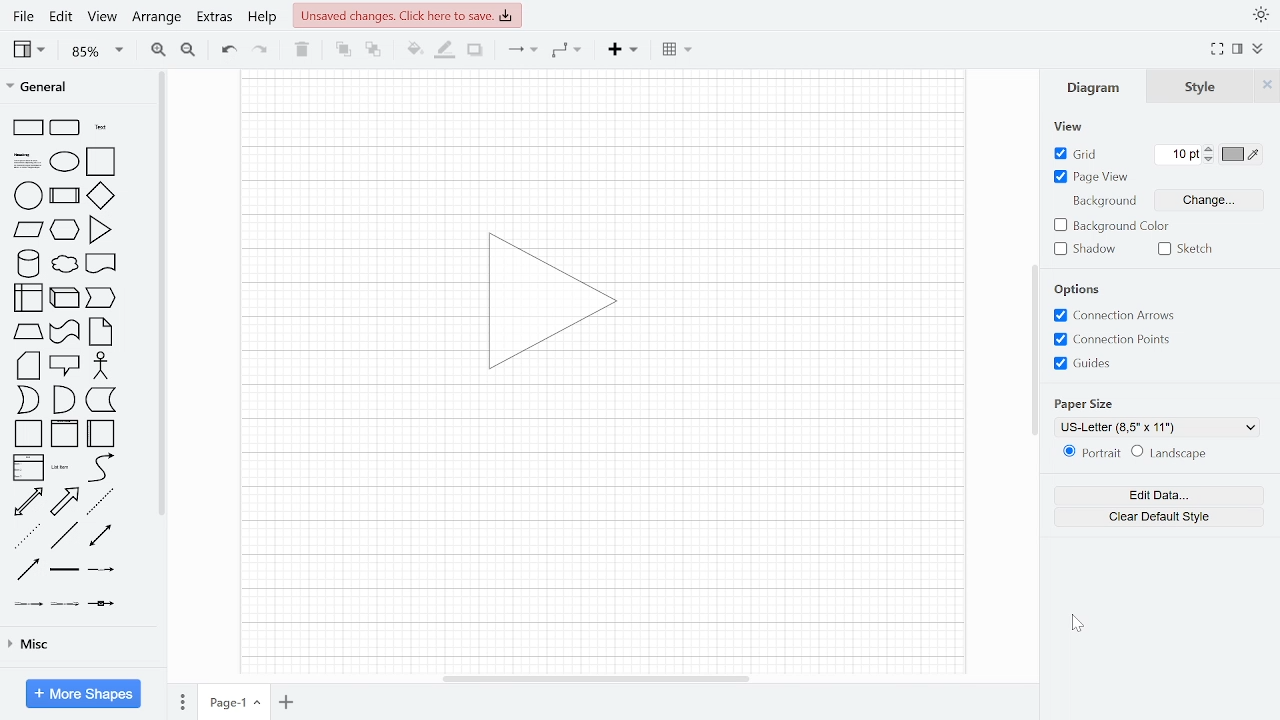  Describe the element at coordinates (1177, 154) in the screenshot. I see `Current grid pt.` at that location.